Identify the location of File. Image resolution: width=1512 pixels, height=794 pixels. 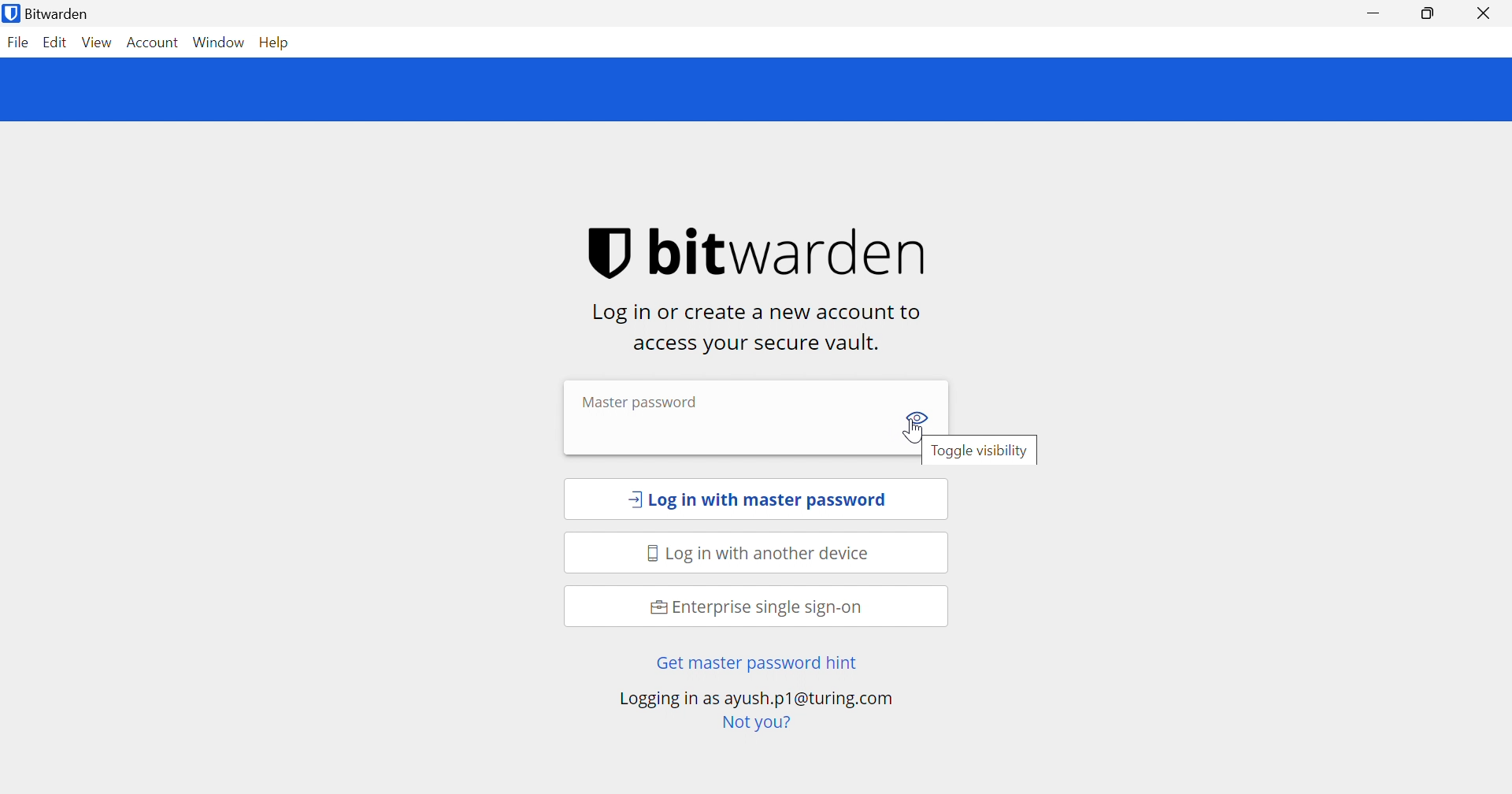
(17, 43).